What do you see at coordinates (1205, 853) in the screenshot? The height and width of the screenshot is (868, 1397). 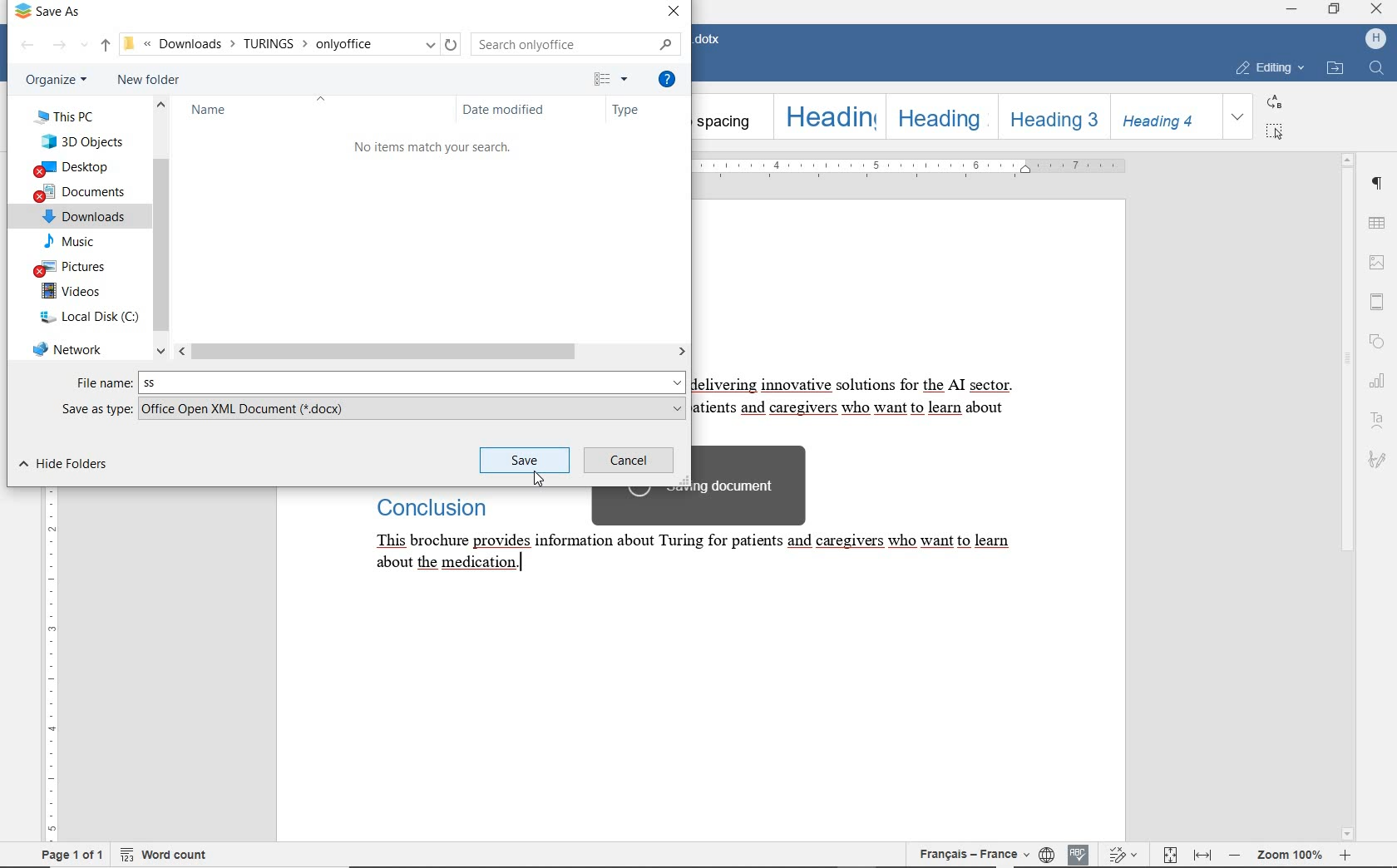 I see `fit to width` at bounding box center [1205, 853].